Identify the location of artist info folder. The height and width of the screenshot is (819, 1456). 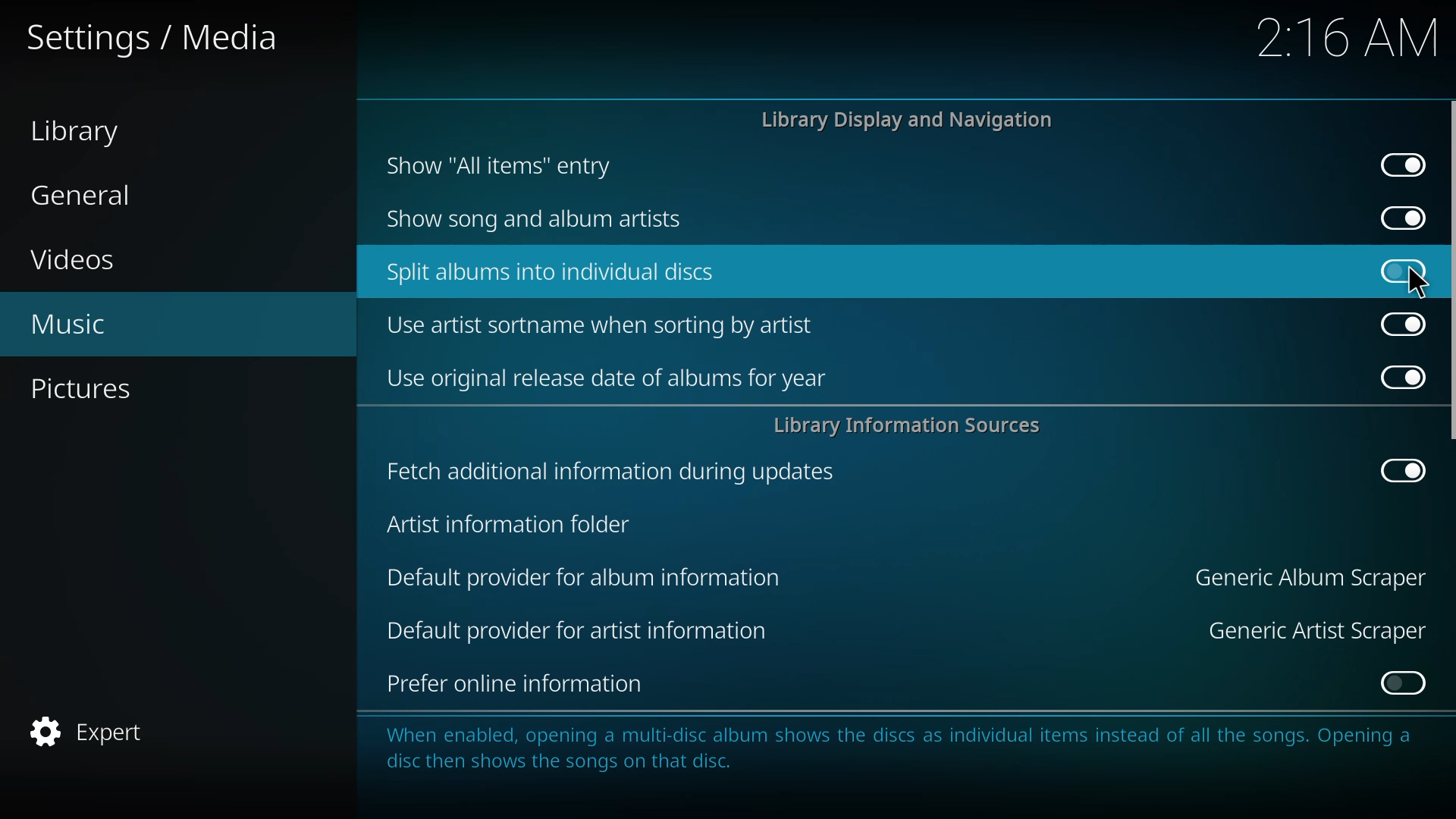
(508, 526).